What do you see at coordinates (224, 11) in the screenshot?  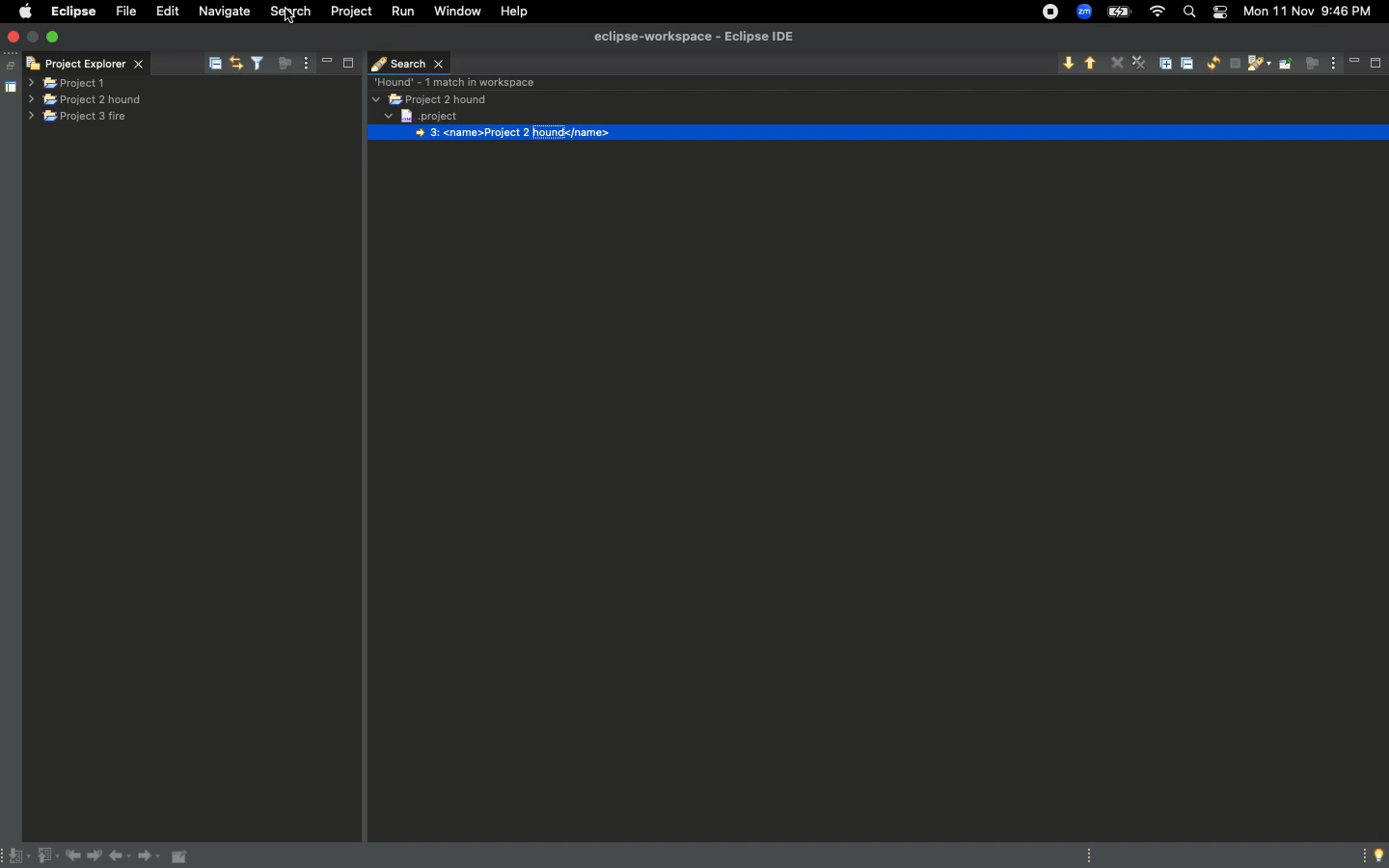 I see `Navigate` at bounding box center [224, 11].